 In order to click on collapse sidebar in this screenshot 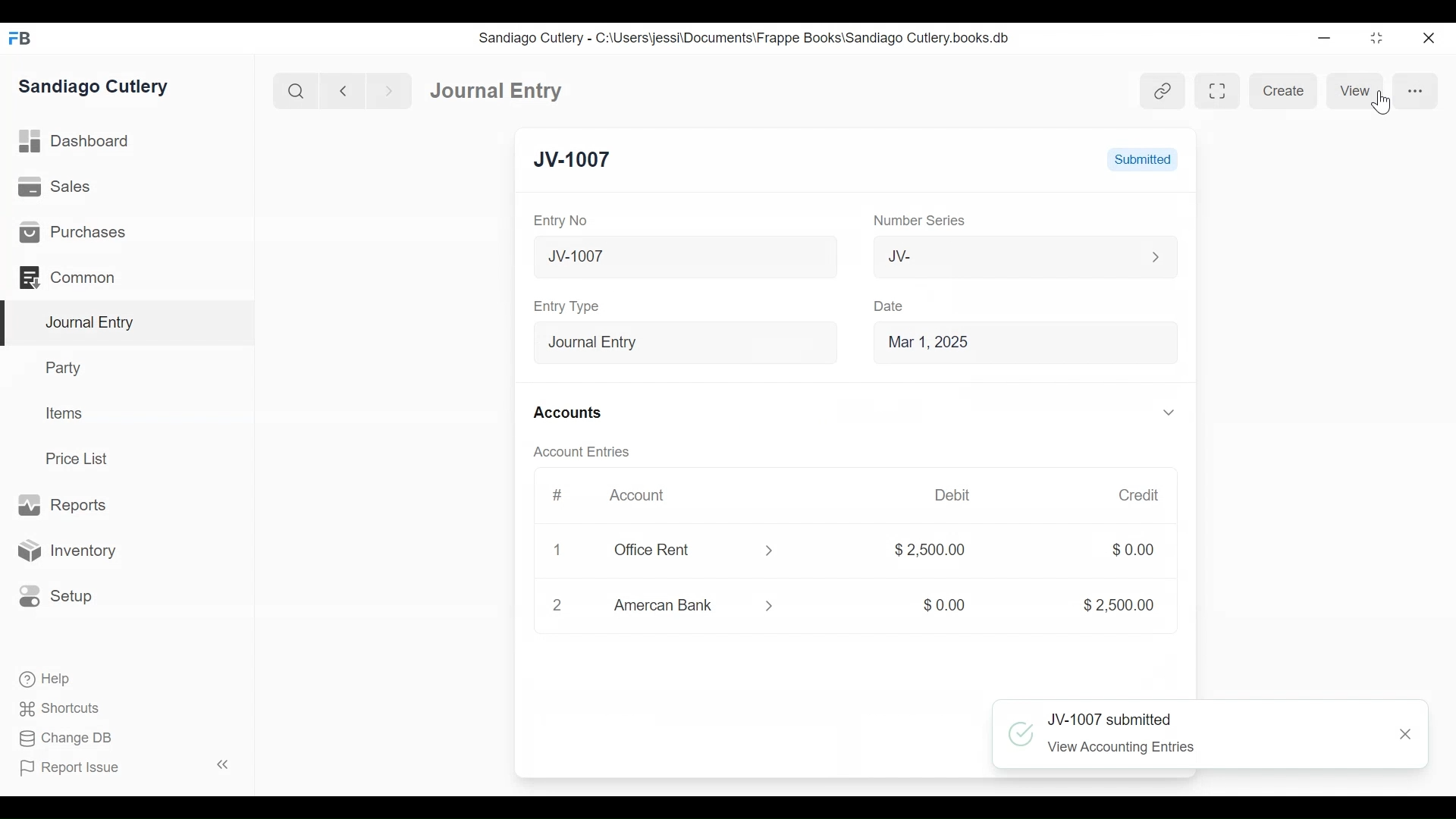, I will do `click(220, 764)`.